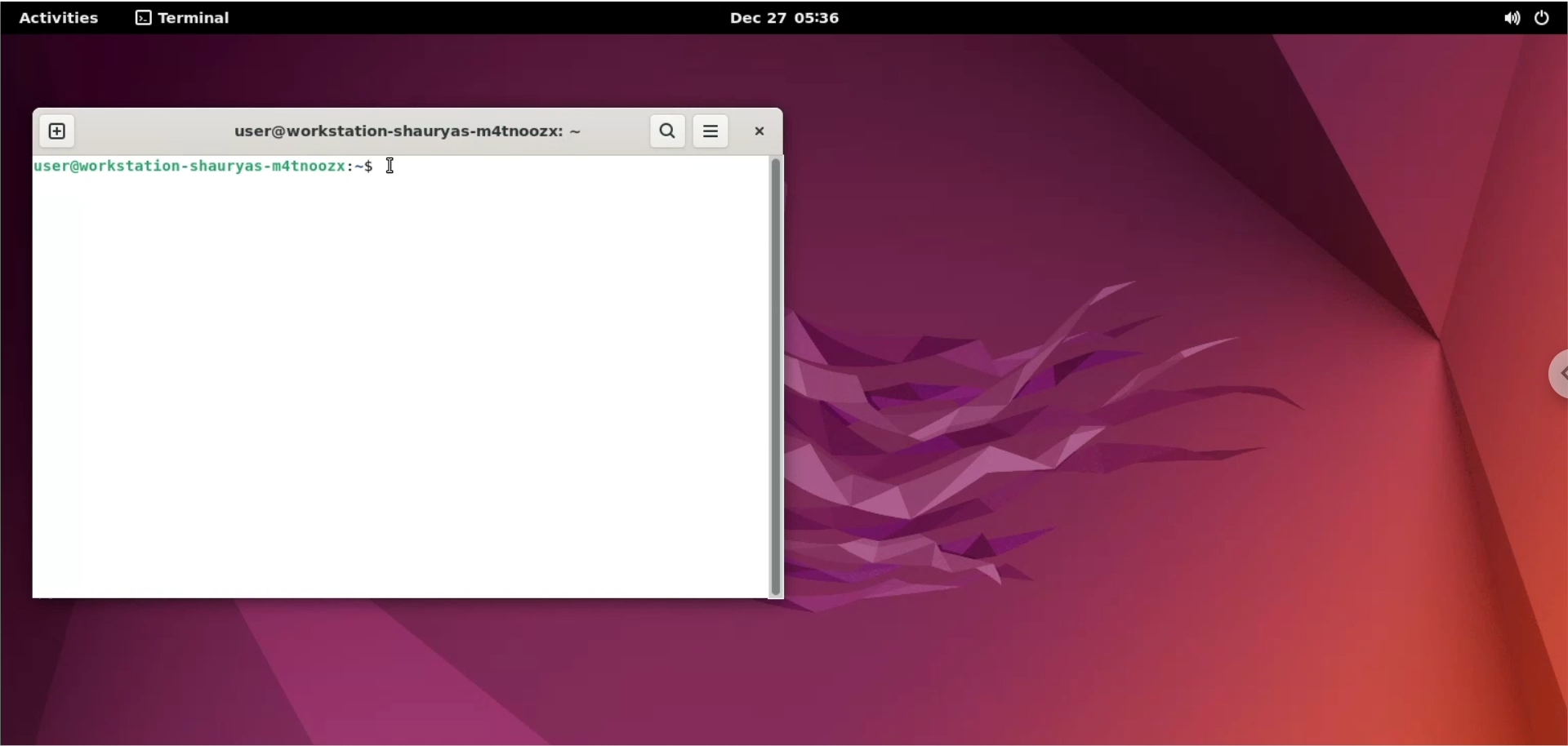  I want to click on new tab, so click(56, 132).